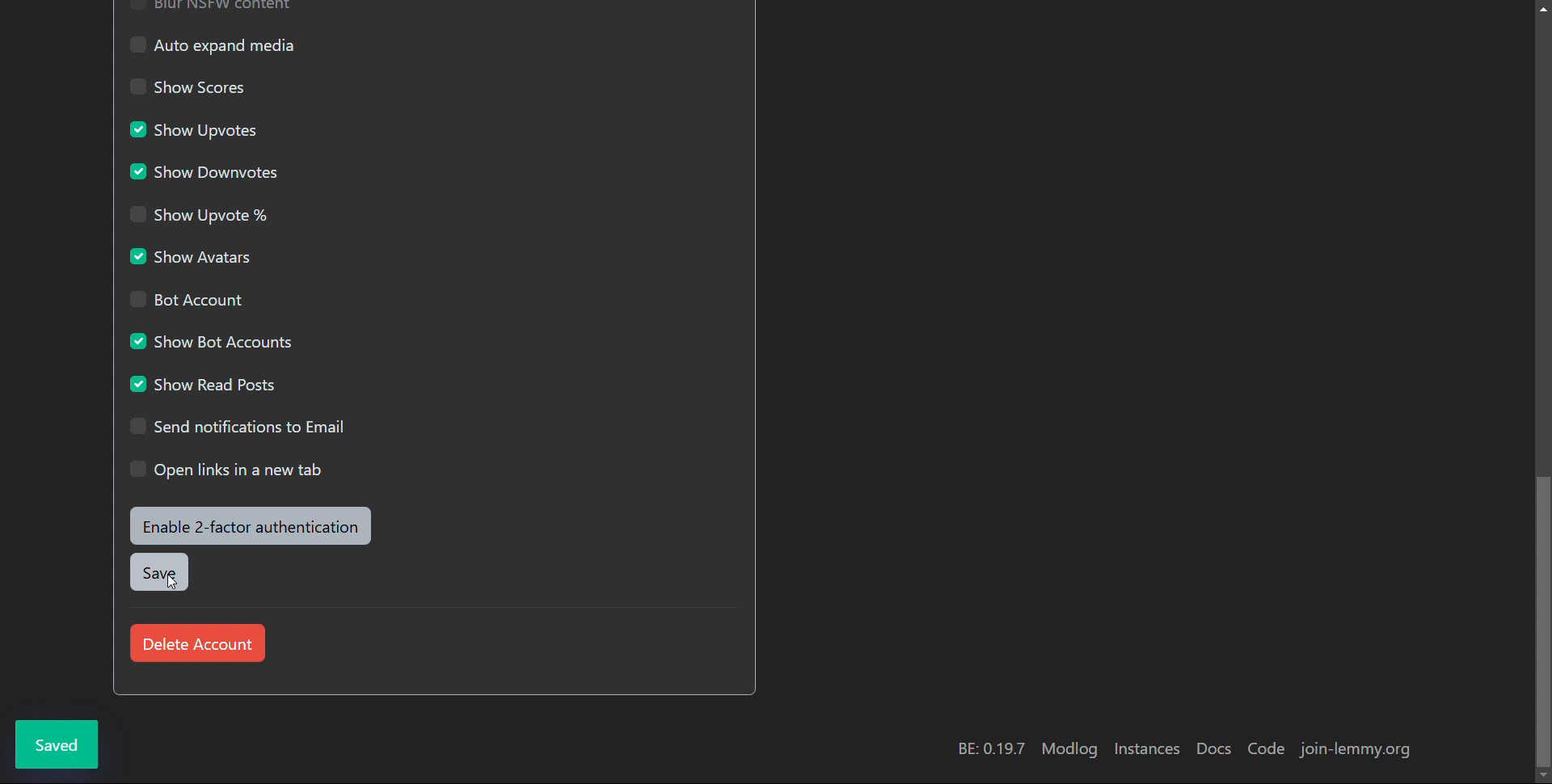 The height and width of the screenshot is (784, 1552). I want to click on send notifications to email, so click(240, 427).